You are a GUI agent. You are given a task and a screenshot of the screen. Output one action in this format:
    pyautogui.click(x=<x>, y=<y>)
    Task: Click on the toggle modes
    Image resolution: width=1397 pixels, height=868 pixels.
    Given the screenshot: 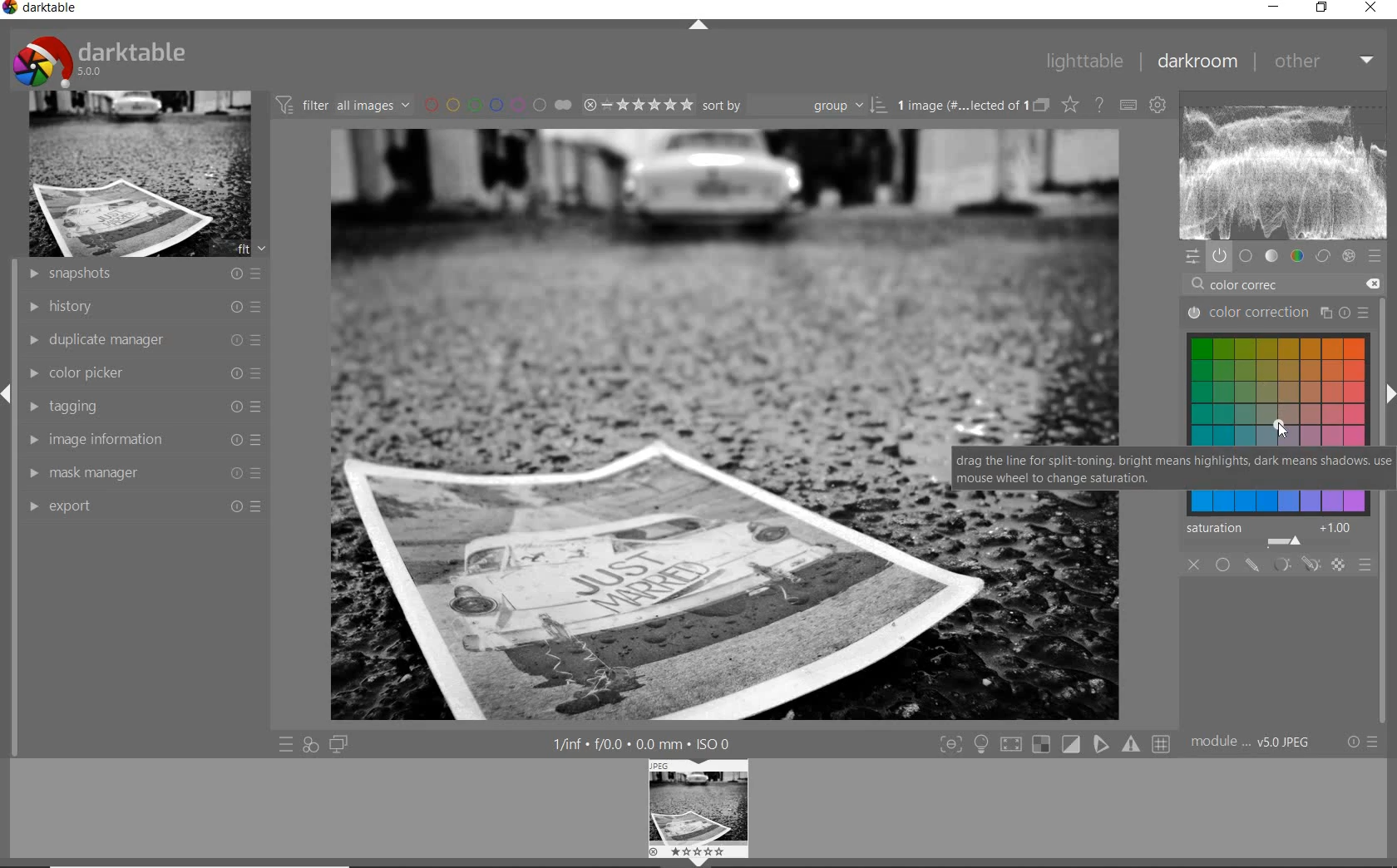 What is the action you would take?
    pyautogui.click(x=1056, y=742)
    